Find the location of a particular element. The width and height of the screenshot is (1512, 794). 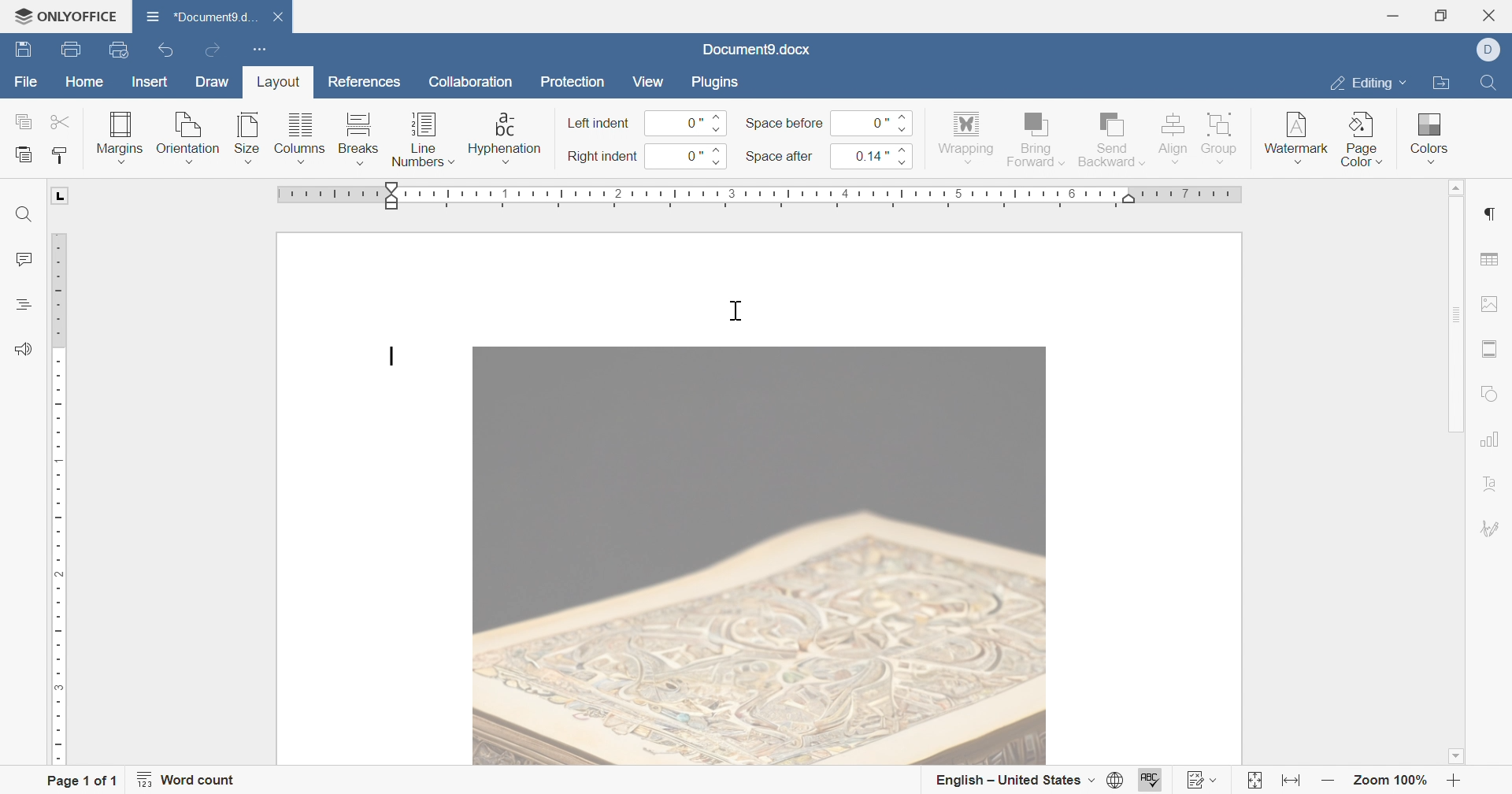

0 is located at coordinates (686, 156).